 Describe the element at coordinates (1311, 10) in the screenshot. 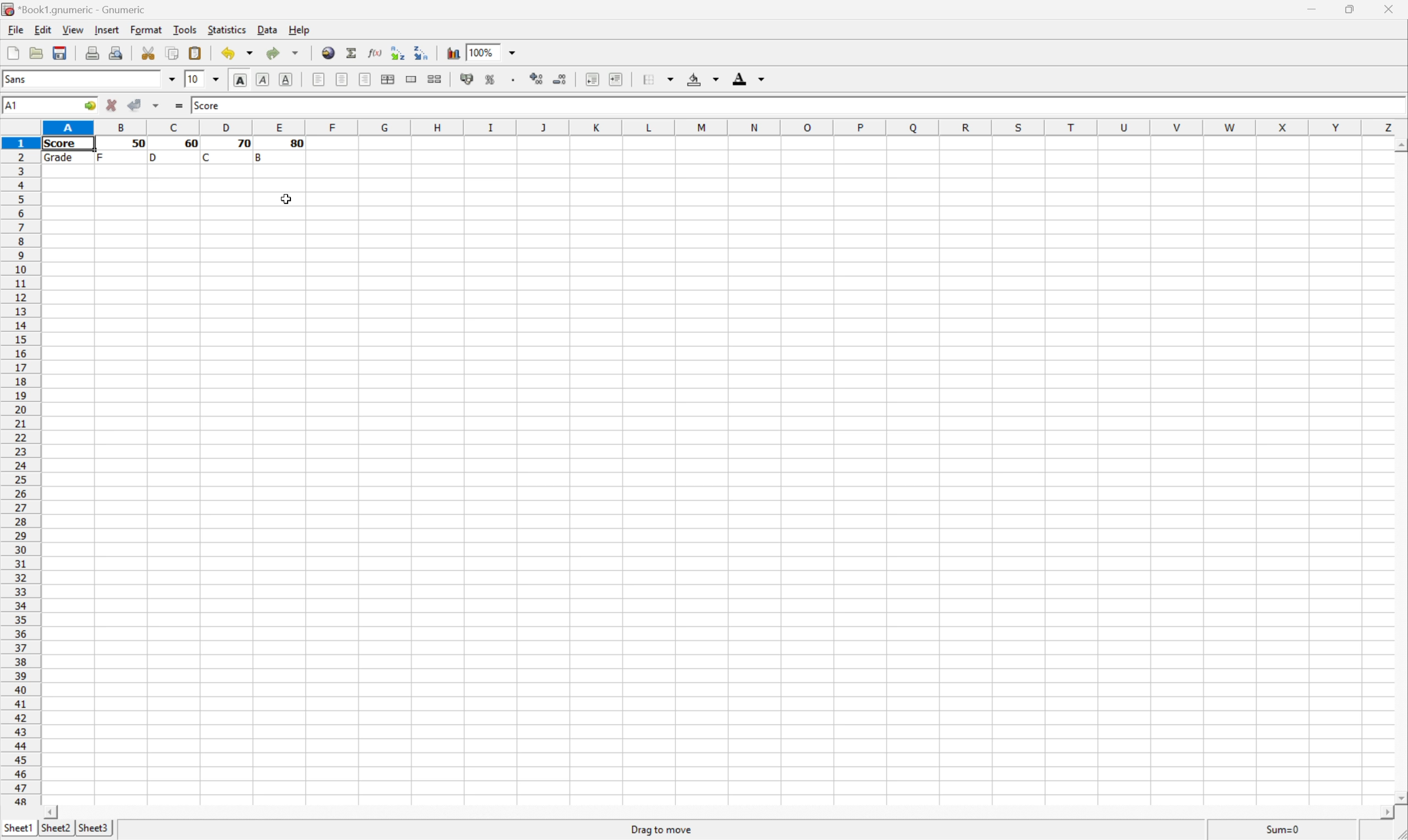

I see `Minimize` at that location.